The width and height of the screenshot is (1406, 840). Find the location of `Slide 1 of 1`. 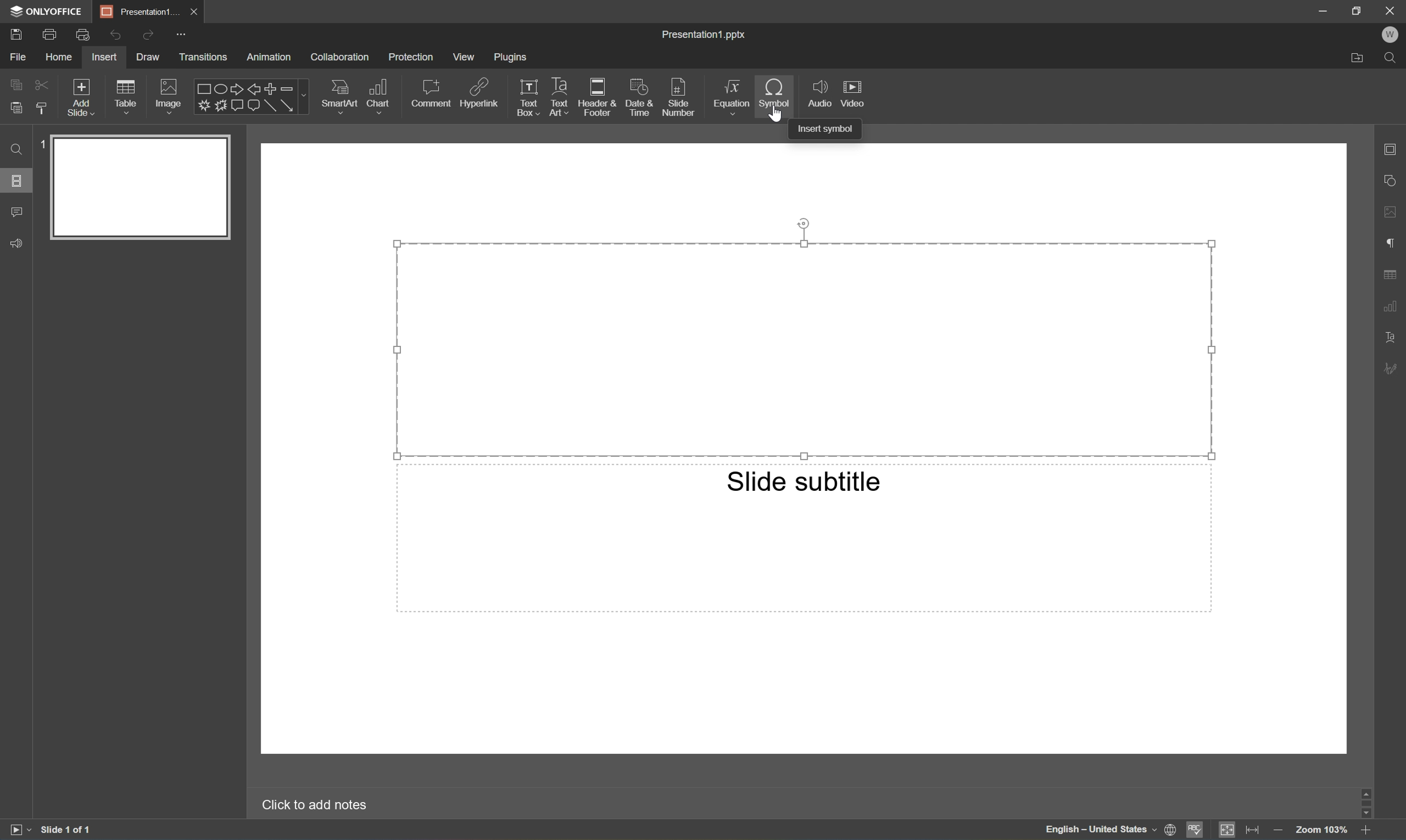

Slide 1 of 1 is located at coordinates (79, 826).